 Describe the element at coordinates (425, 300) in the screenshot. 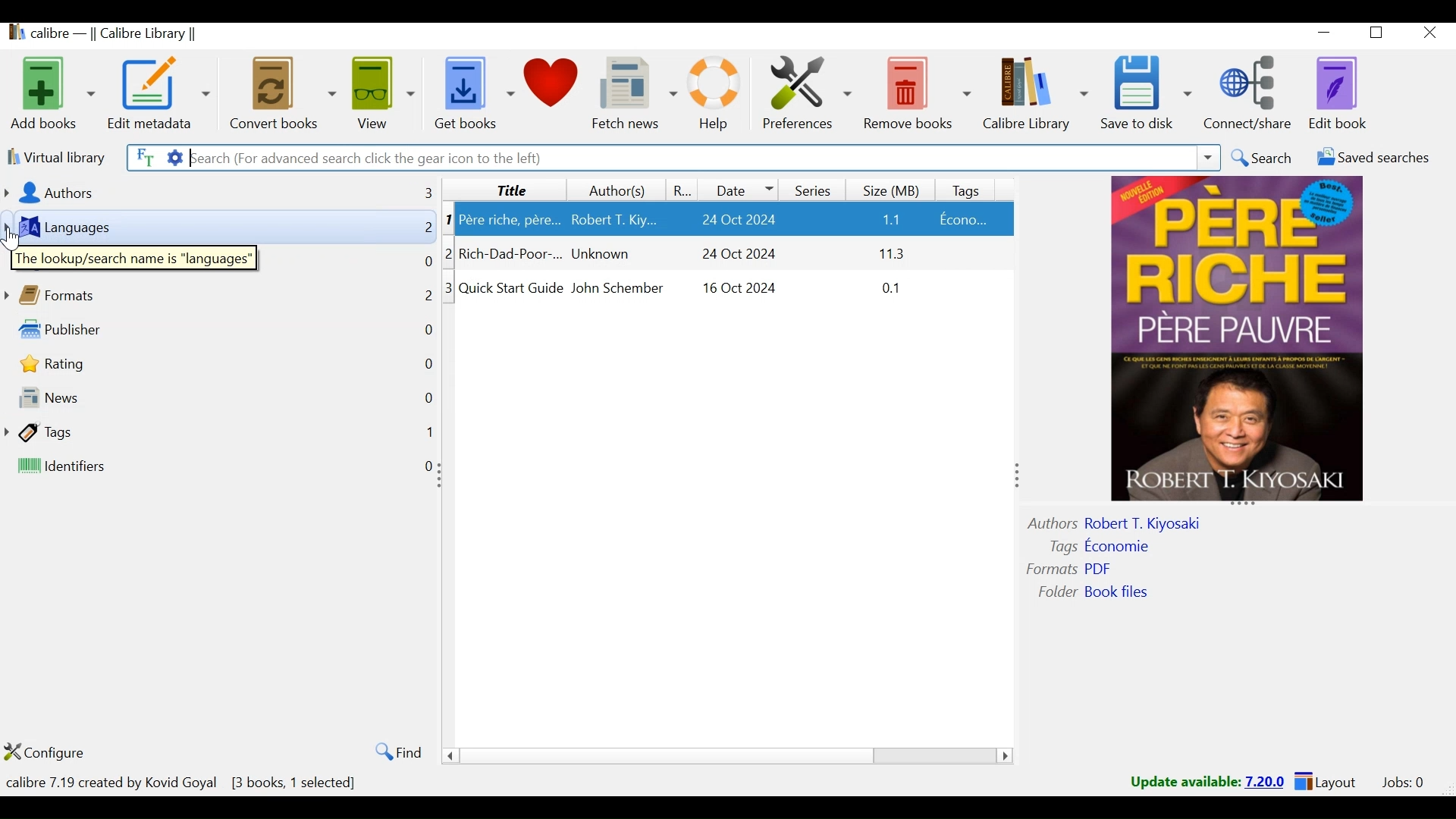

I see `2` at that location.